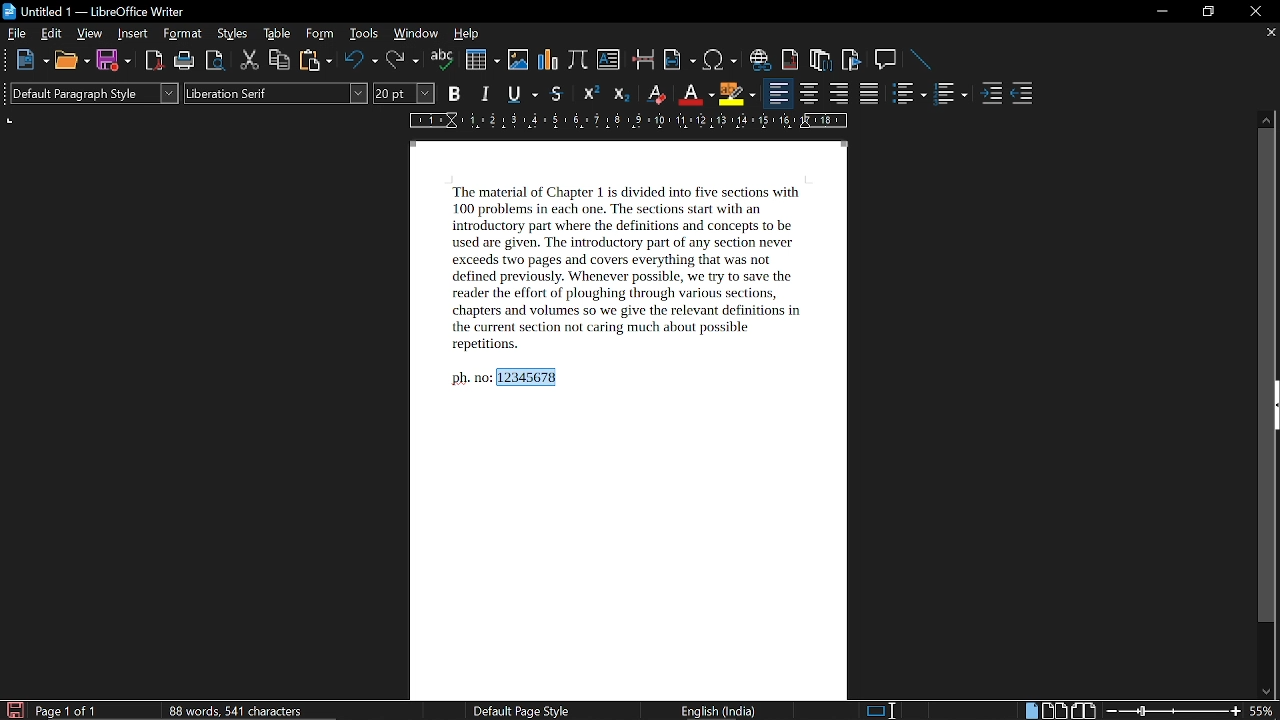 This screenshot has height=720, width=1280. I want to click on format, so click(180, 35).